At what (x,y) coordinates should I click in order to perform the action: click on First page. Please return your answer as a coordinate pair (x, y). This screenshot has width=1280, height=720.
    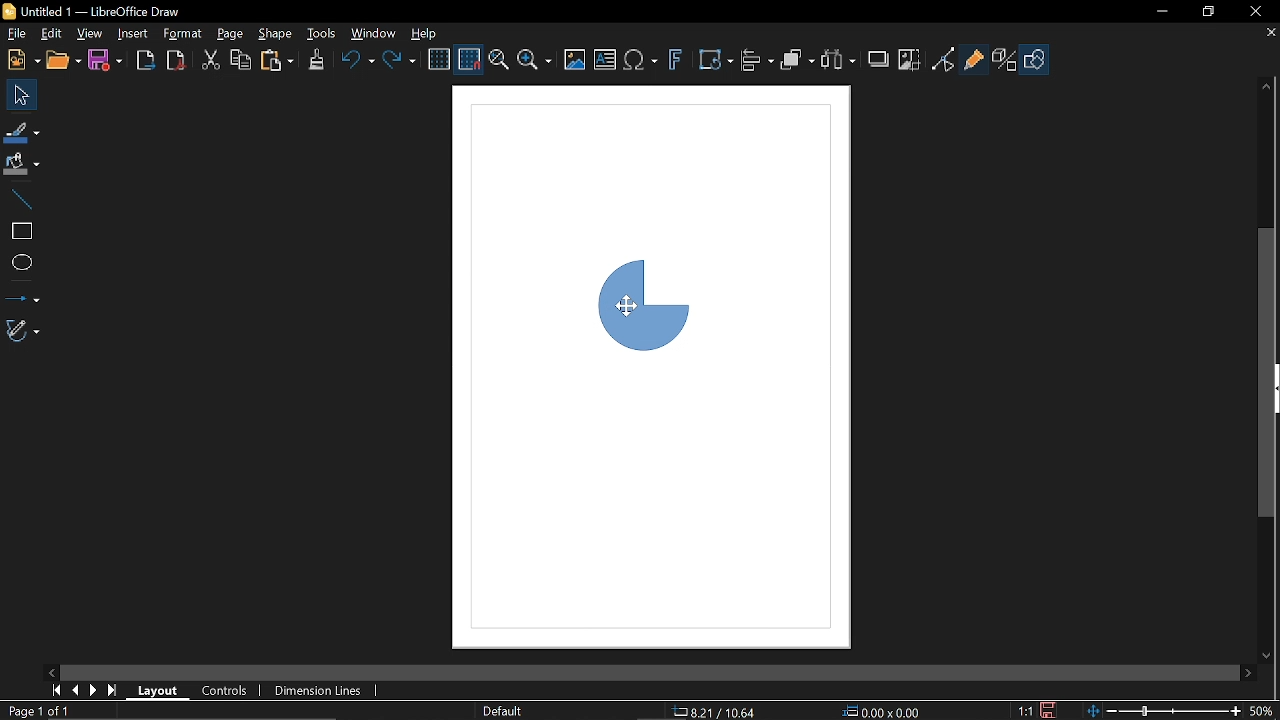
    Looking at the image, I should click on (58, 690).